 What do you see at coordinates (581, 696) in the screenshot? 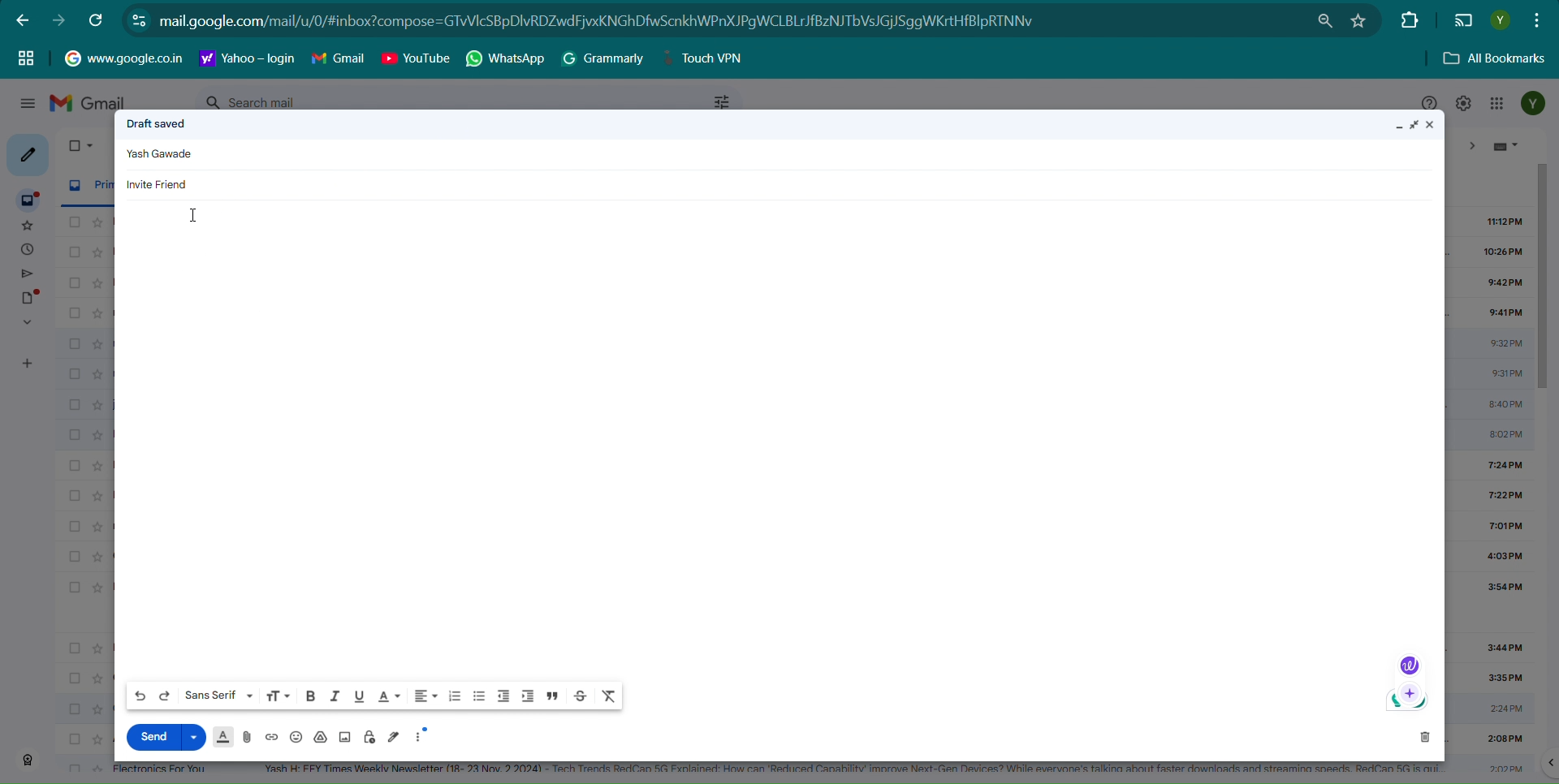
I see `Strikethrough` at bounding box center [581, 696].